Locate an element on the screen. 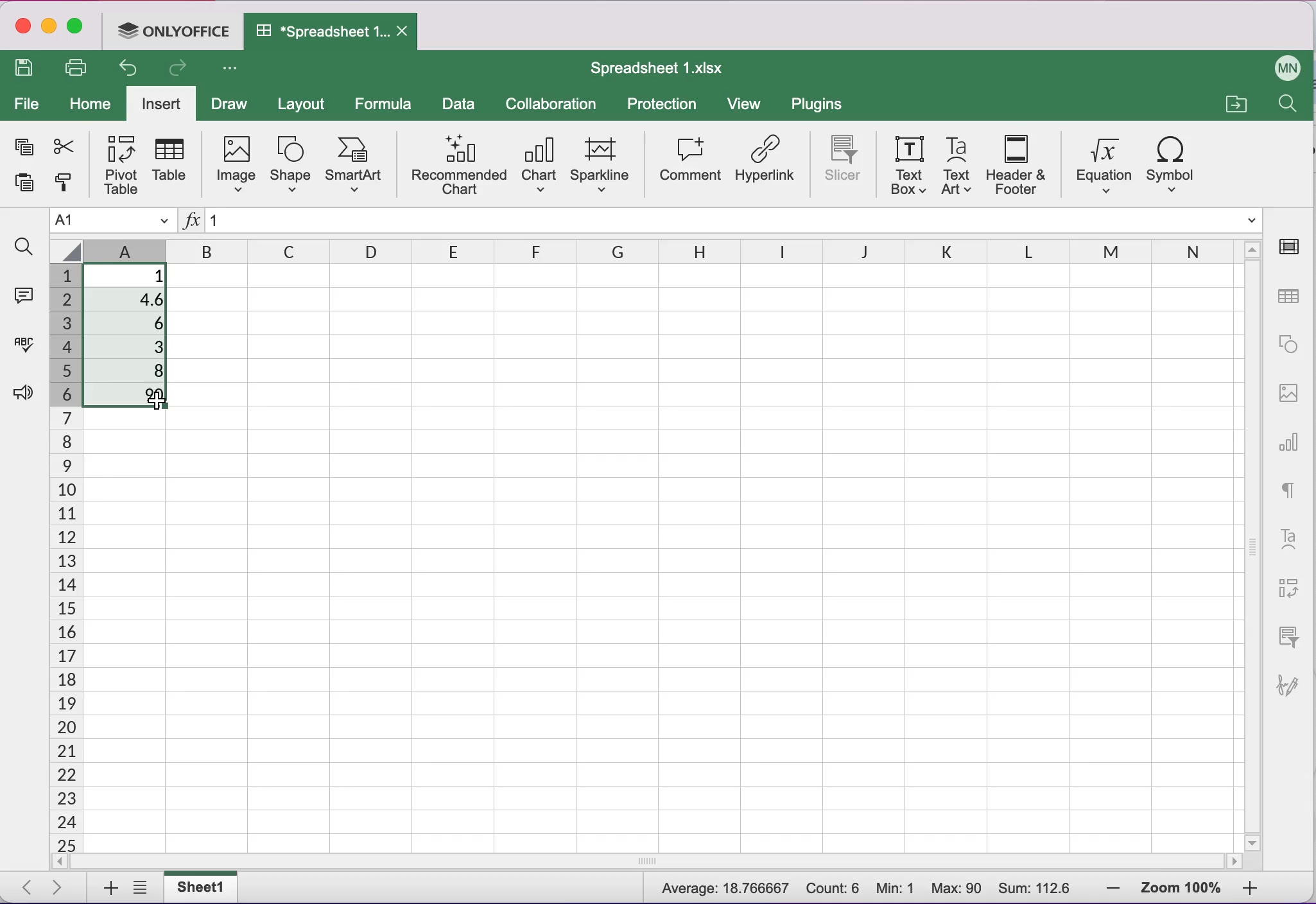 The image size is (1316, 904). open a file location is located at coordinates (1239, 105).